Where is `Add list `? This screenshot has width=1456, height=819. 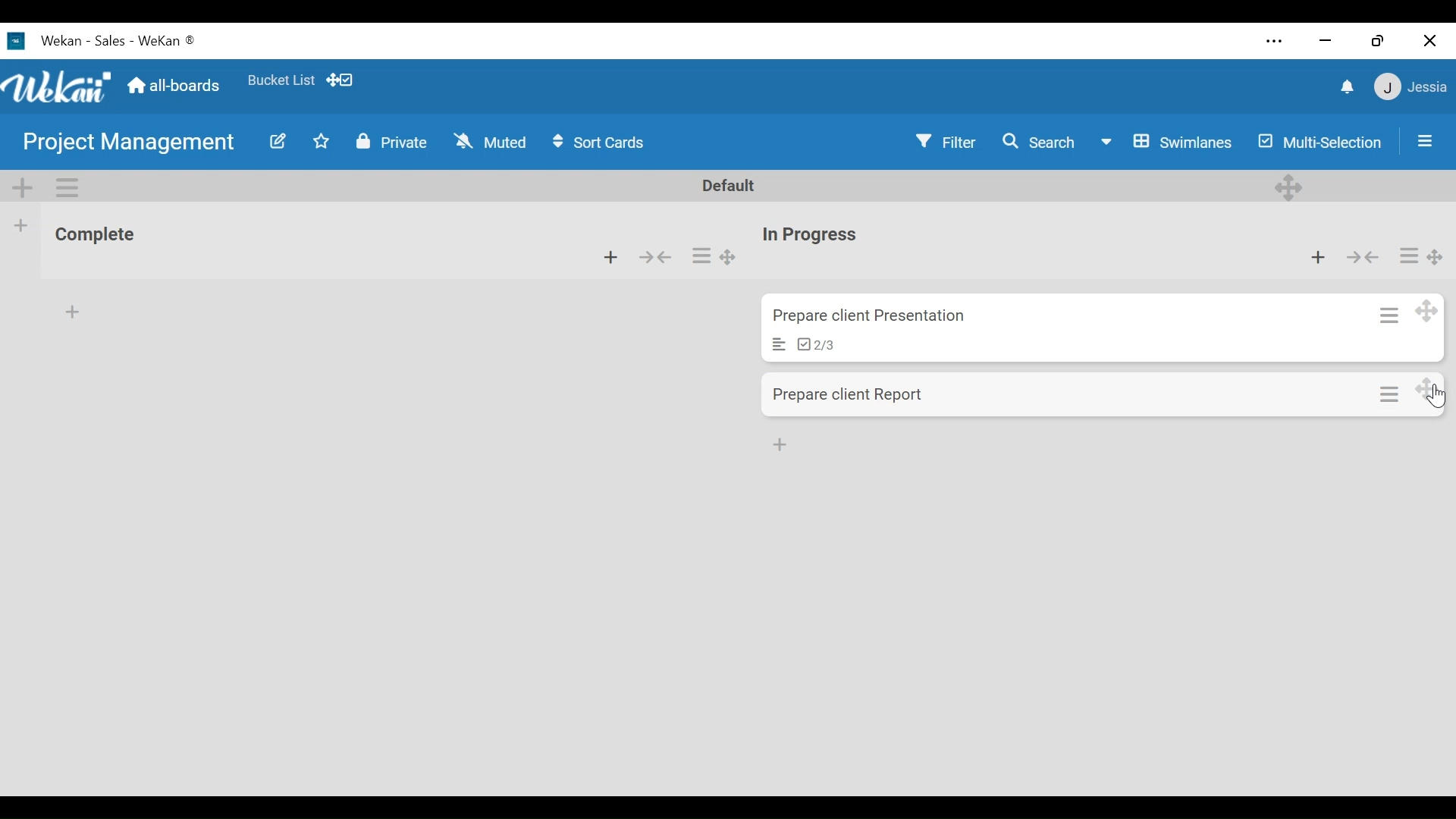 Add list  is located at coordinates (20, 225).